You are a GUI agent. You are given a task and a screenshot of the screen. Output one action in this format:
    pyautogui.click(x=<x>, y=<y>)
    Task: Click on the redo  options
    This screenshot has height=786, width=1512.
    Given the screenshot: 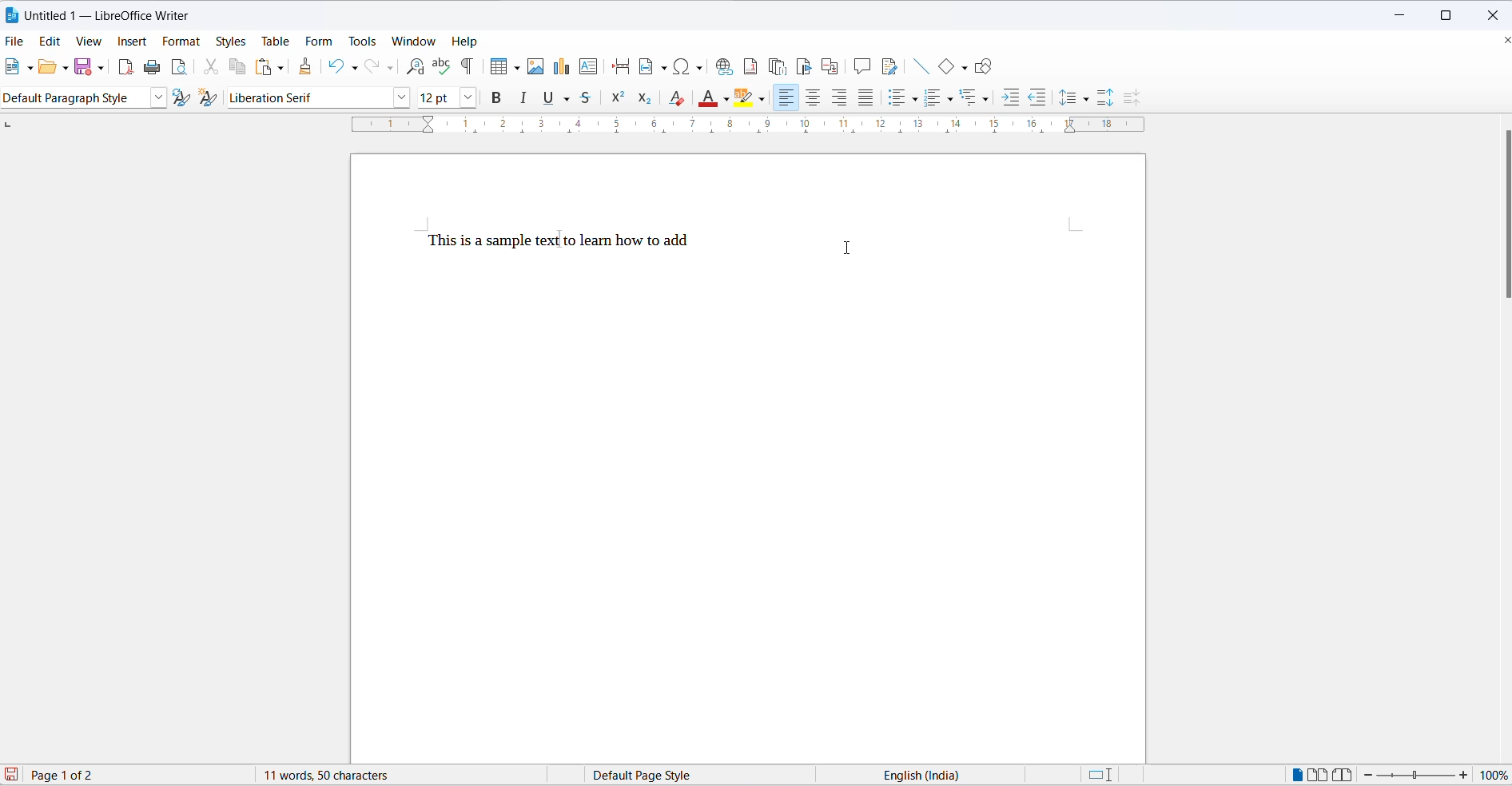 What is the action you would take?
    pyautogui.click(x=391, y=67)
    